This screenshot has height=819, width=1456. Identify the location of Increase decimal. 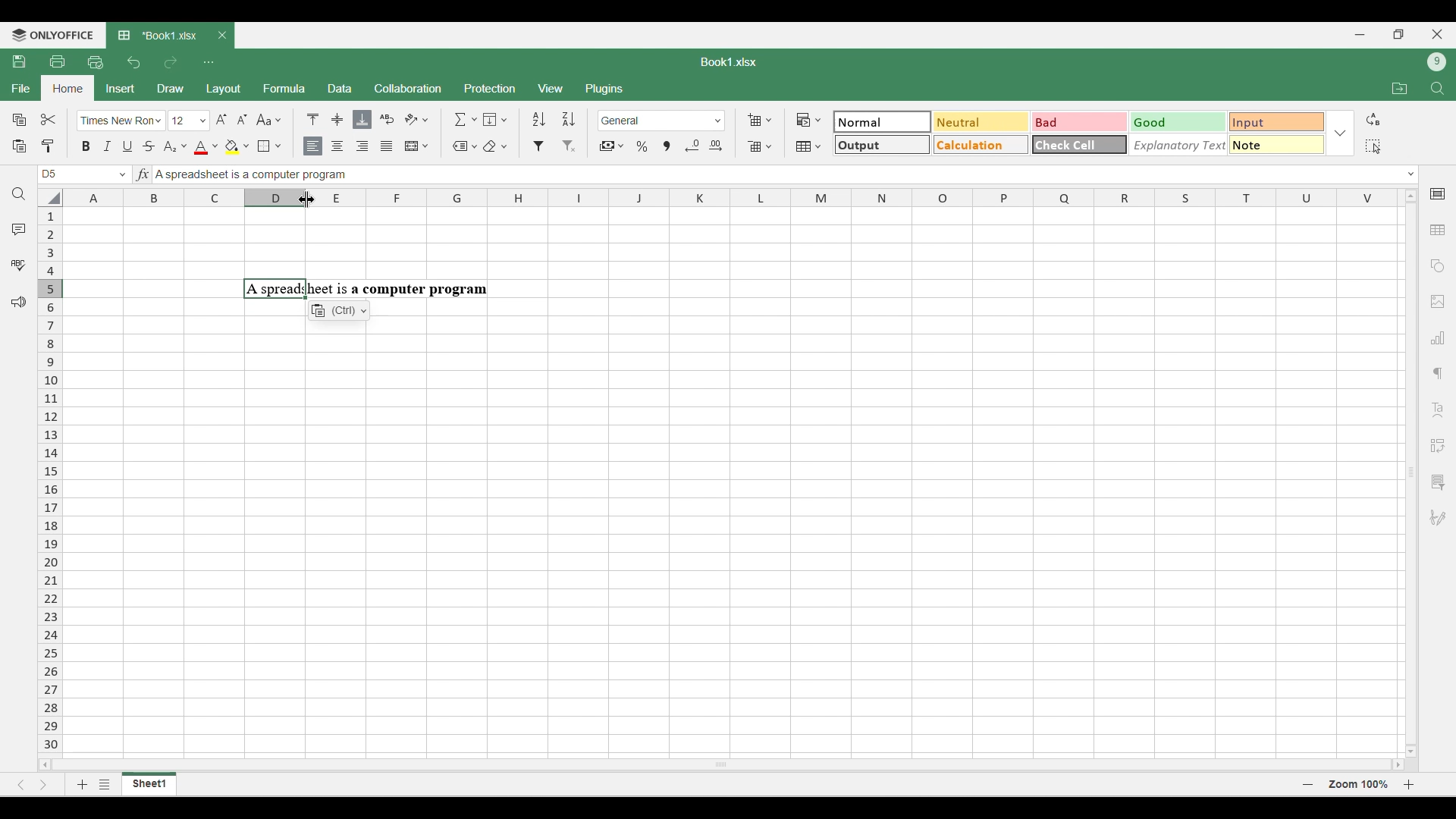
(715, 146).